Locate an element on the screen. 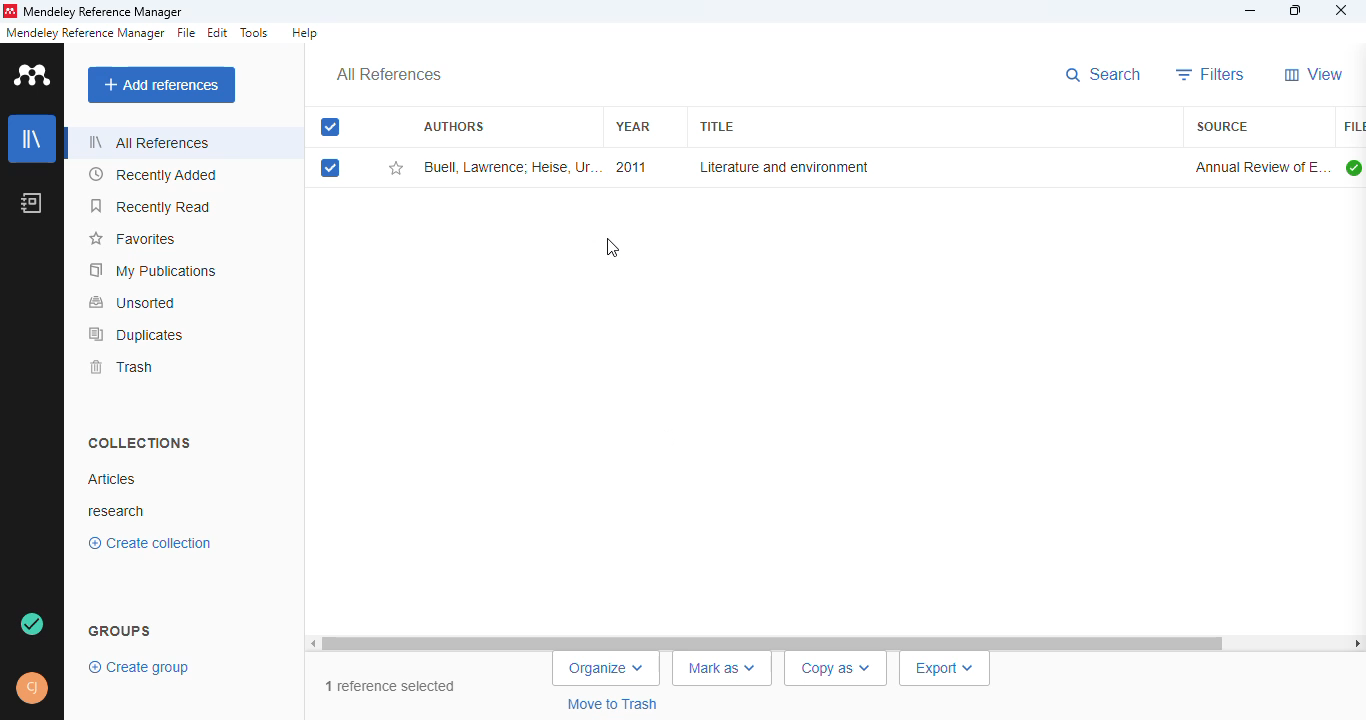  move to trash is located at coordinates (610, 704).